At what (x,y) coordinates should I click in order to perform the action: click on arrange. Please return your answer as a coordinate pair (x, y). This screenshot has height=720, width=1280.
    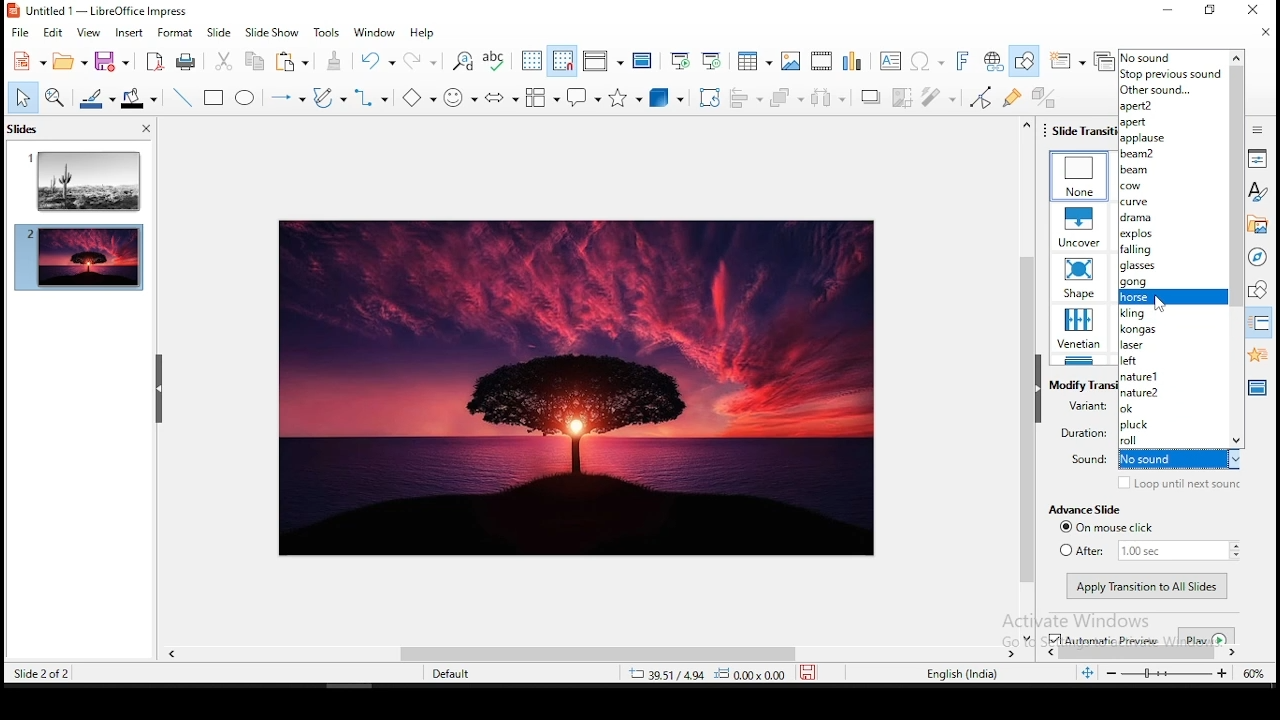
    Looking at the image, I should click on (788, 97).